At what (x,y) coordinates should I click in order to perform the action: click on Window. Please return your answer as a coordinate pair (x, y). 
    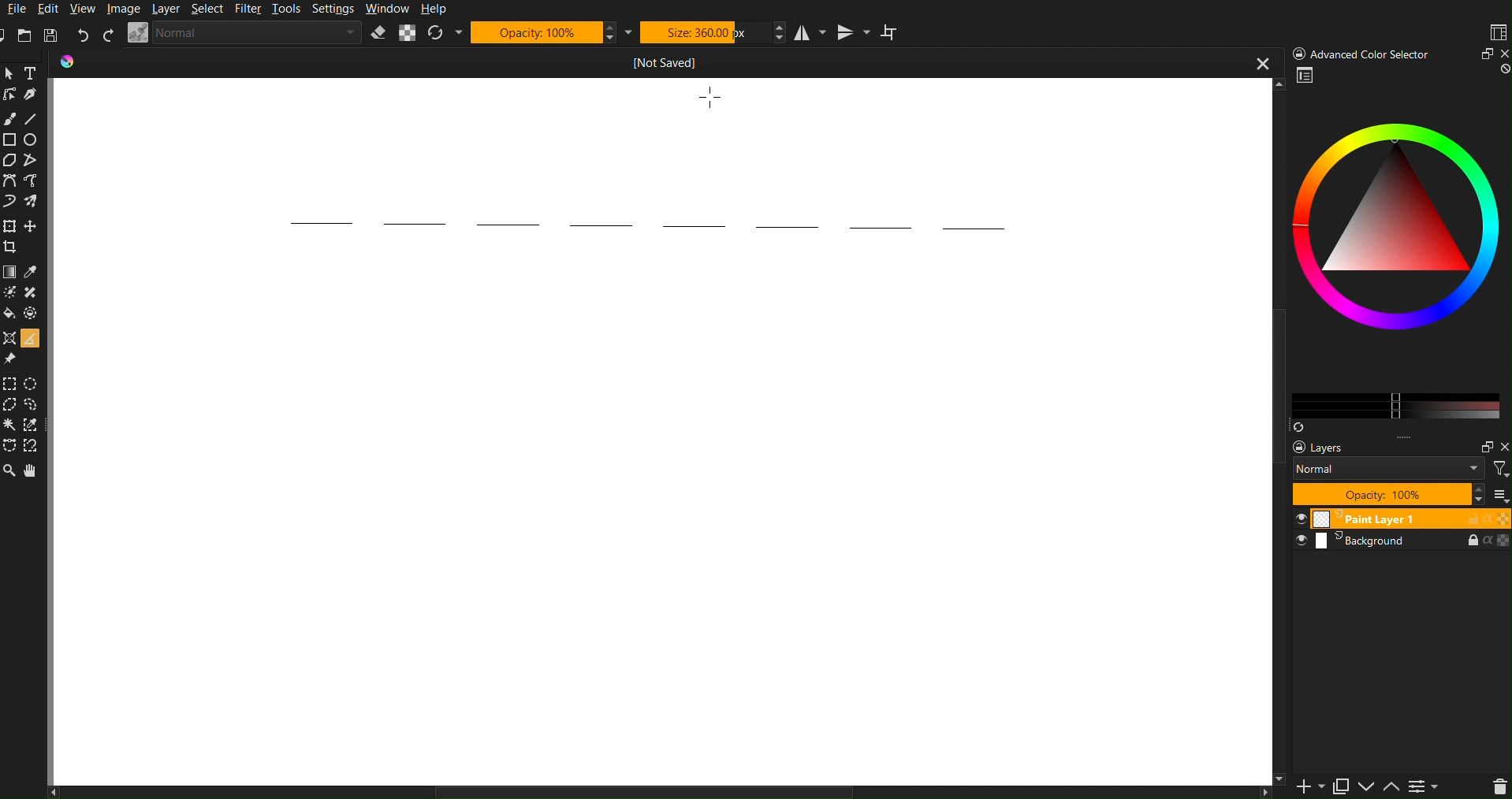
    Looking at the image, I should click on (386, 9).